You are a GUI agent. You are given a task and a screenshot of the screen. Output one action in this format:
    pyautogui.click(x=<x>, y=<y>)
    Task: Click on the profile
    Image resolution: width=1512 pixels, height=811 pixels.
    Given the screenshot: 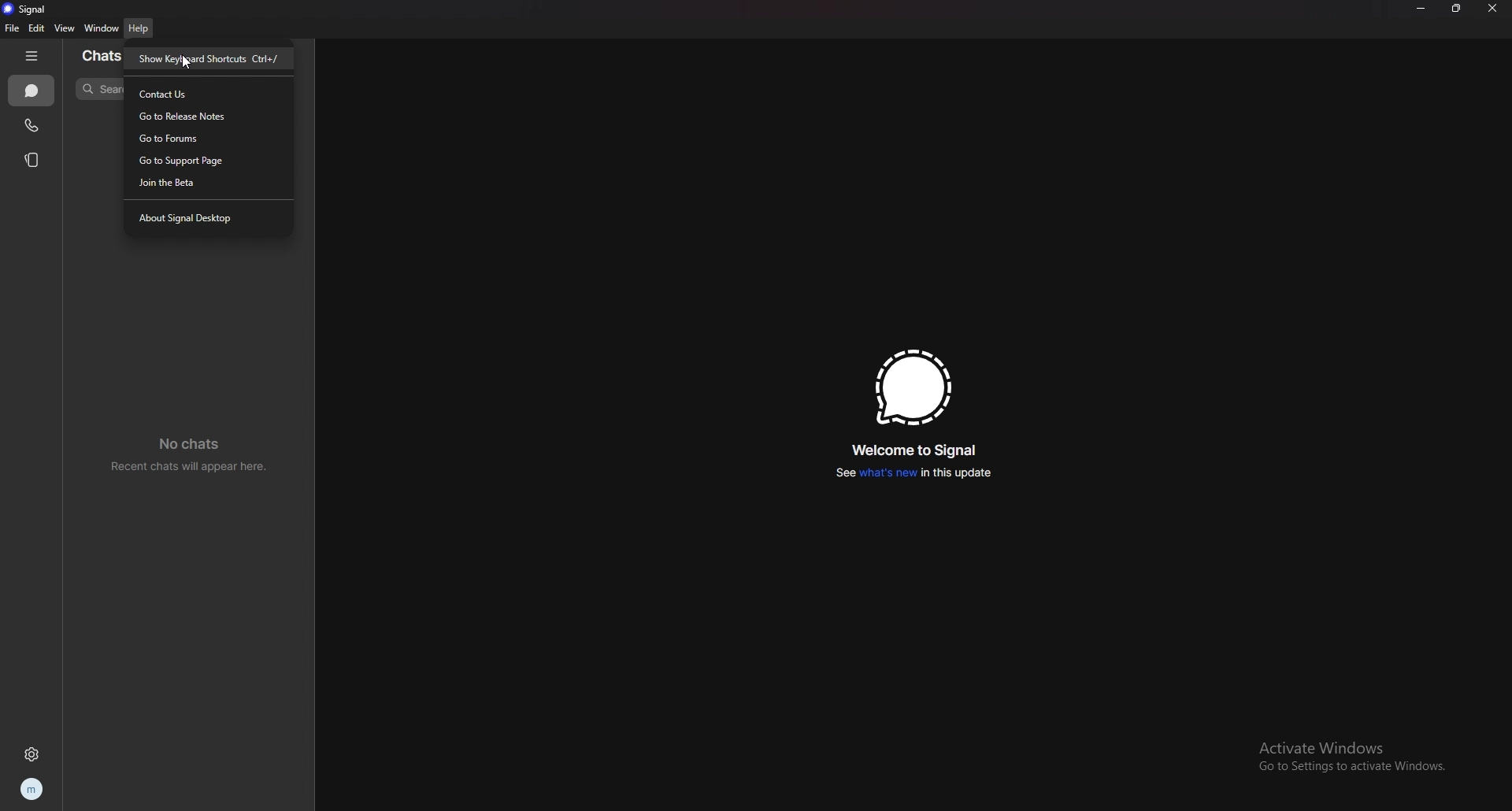 What is the action you would take?
    pyautogui.click(x=33, y=790)
    